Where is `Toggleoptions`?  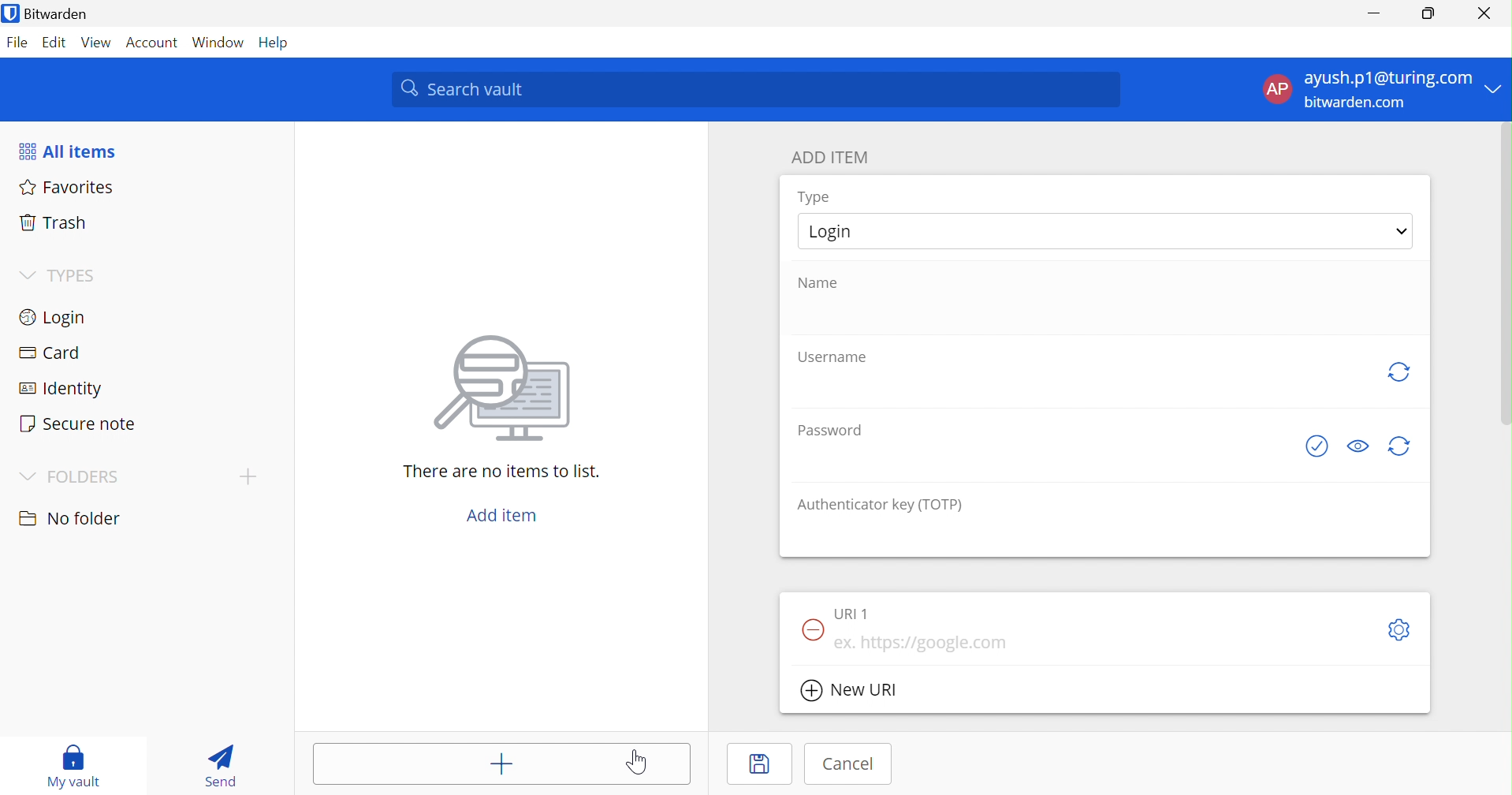
Toggleoptions is located at coordinates (1397, 629).